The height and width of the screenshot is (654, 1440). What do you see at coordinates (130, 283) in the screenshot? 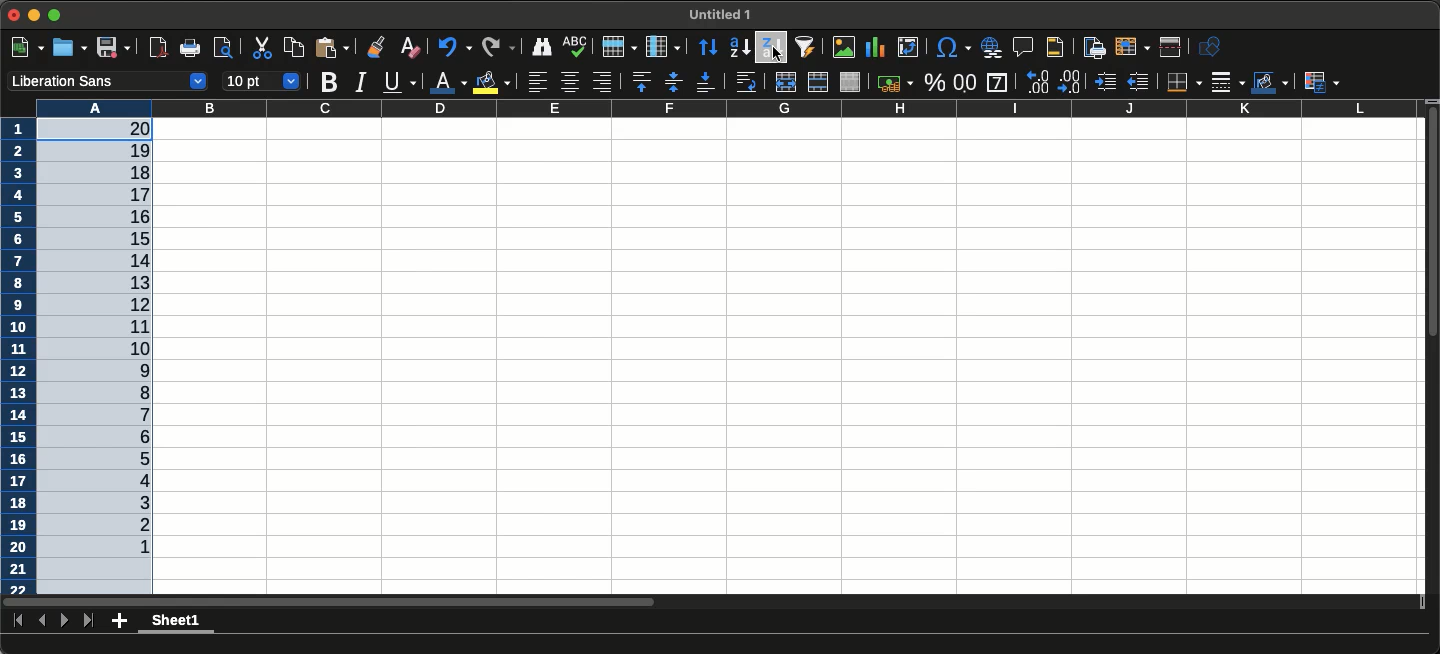
I see `8` at bounding box center [130, 283].